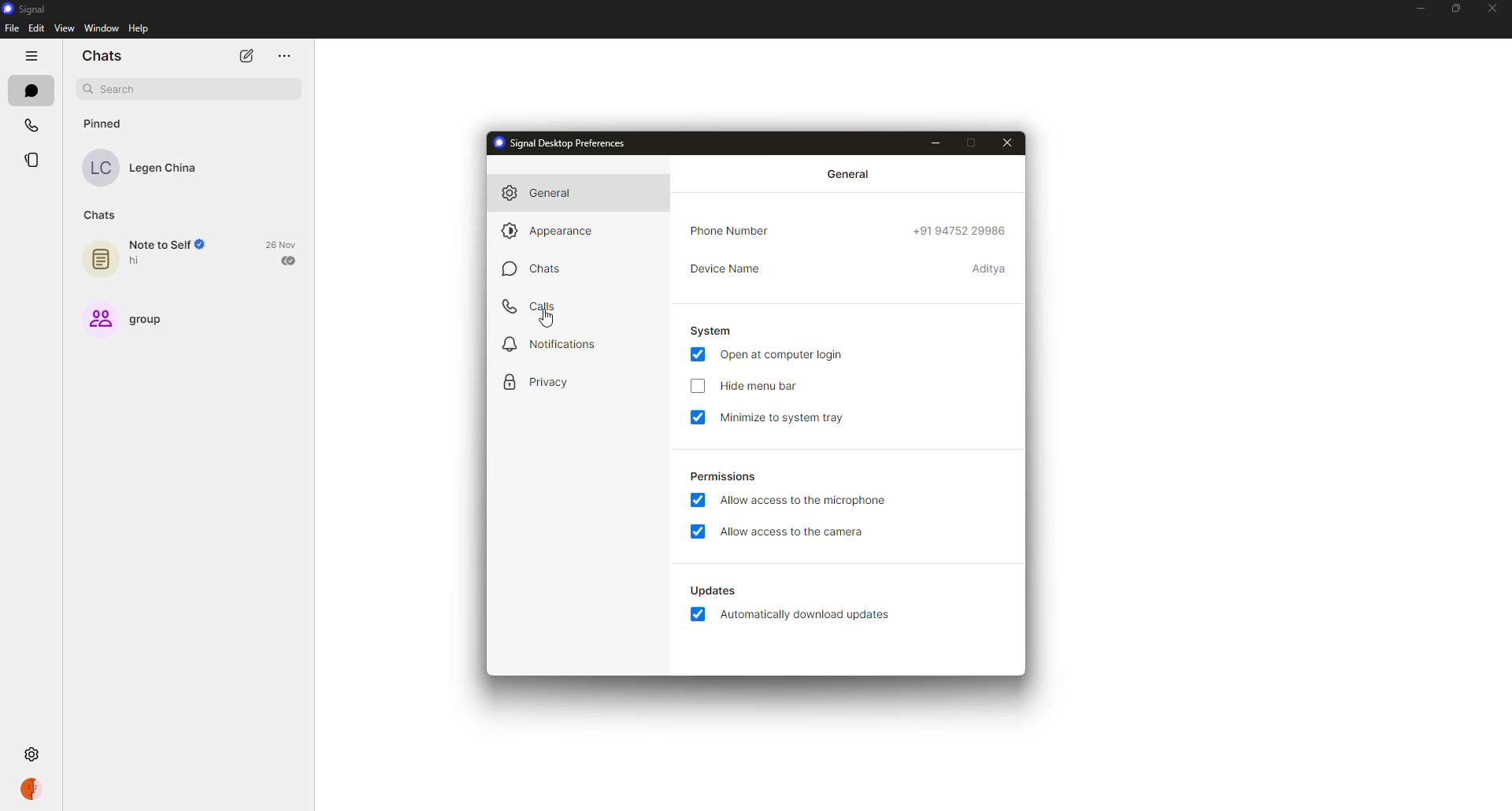 Image resolution: width=1512 pixels, height=811 pixels. Describe the element at coordinates (712, 590) in the screenshot. I see `updates` at that location.